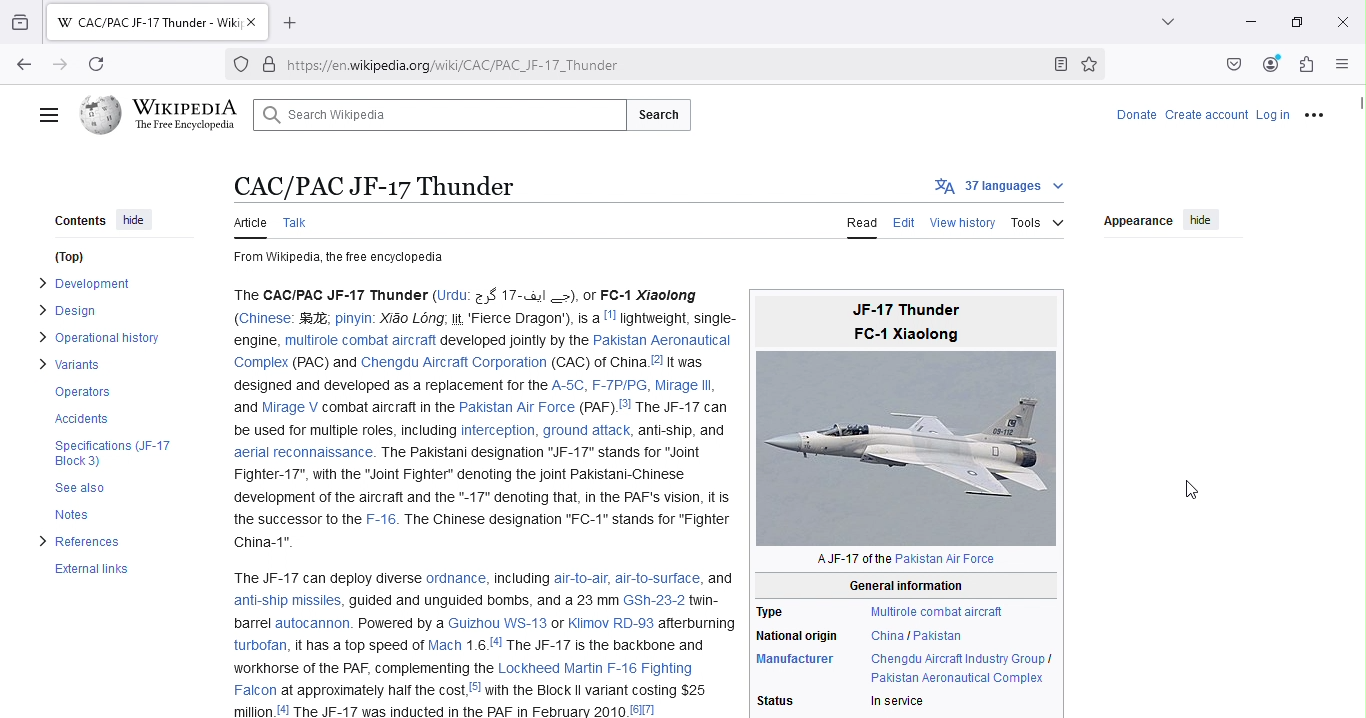  Describe the element at coordinates (65, 310) in the screenshot. I see `> Design` at that location.